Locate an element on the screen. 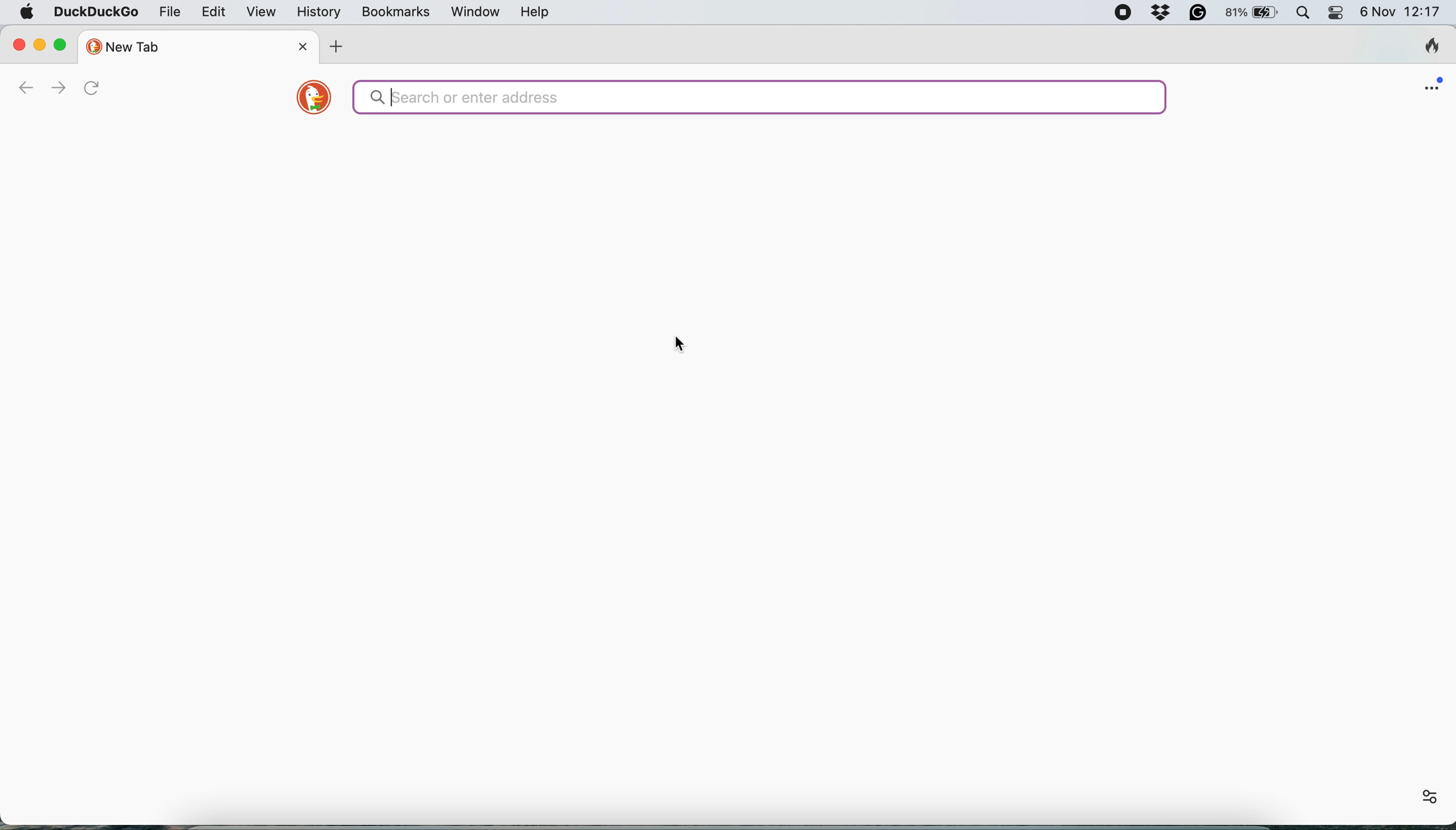 This screenshot has height=830, width=1456. add new tab is located at coordinates (335, 47).